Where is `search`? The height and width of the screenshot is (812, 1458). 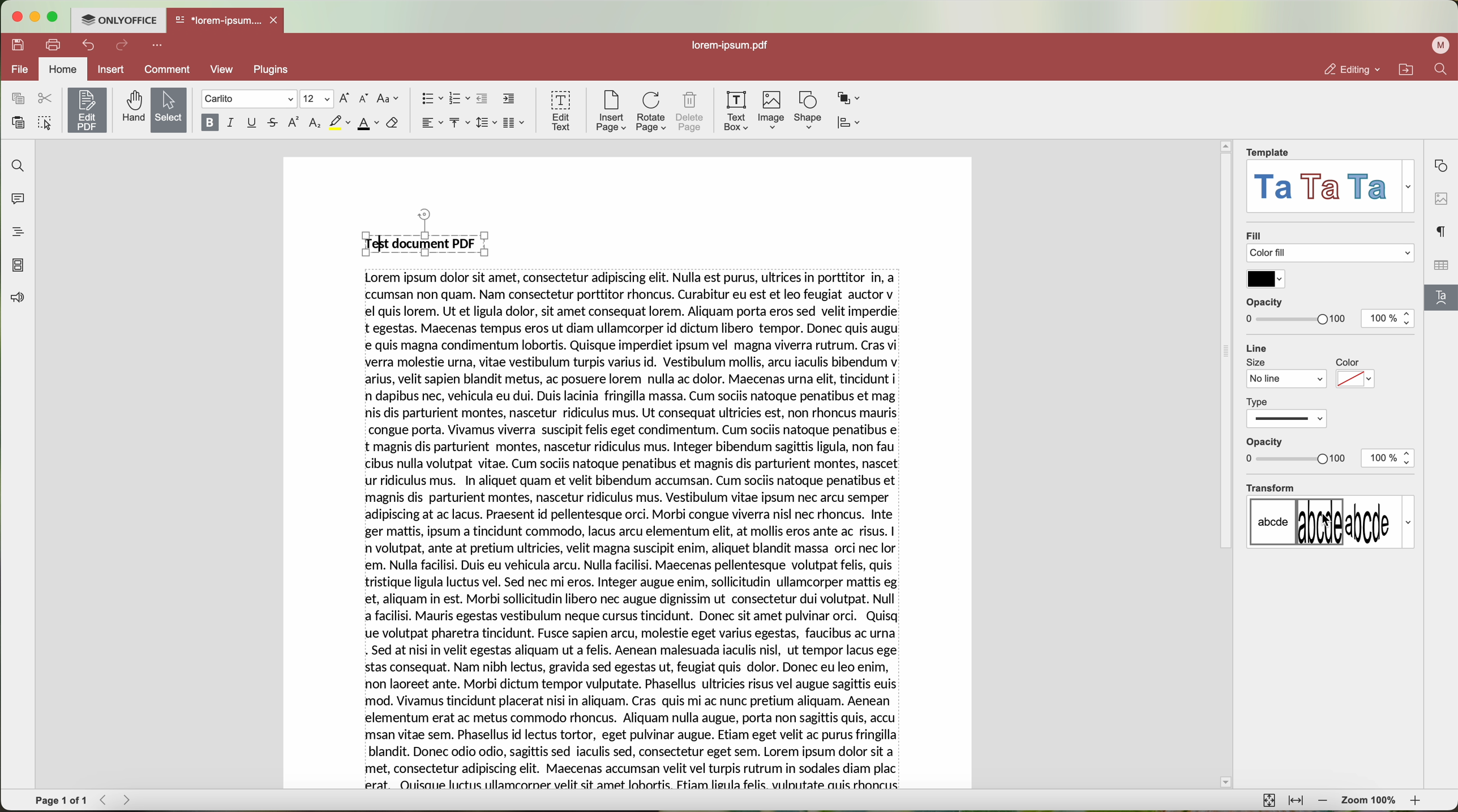
search is located at coordinates (16, 166).